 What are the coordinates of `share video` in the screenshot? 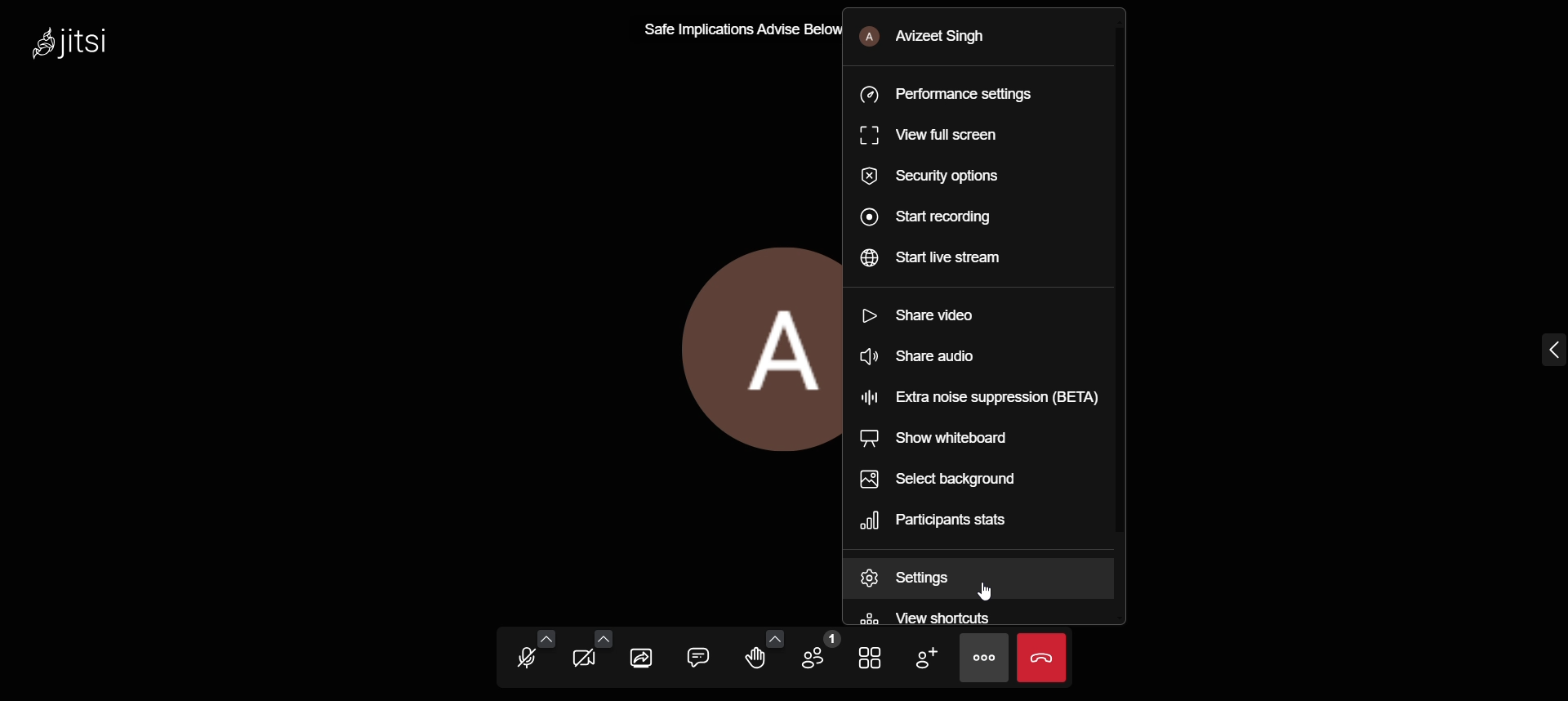 It's located at (947, 318).